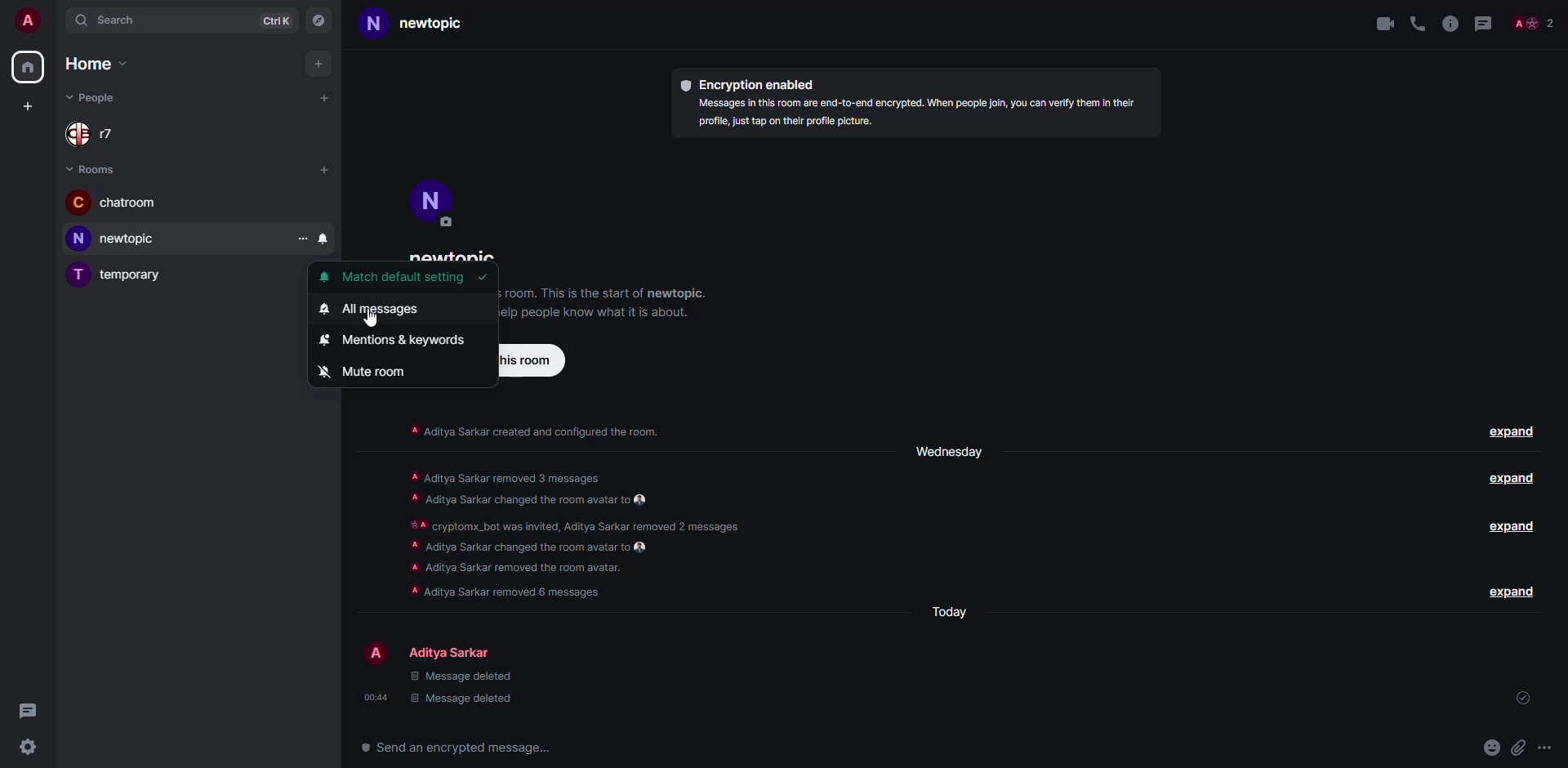  I want to click on threads, so click(1486, 23).